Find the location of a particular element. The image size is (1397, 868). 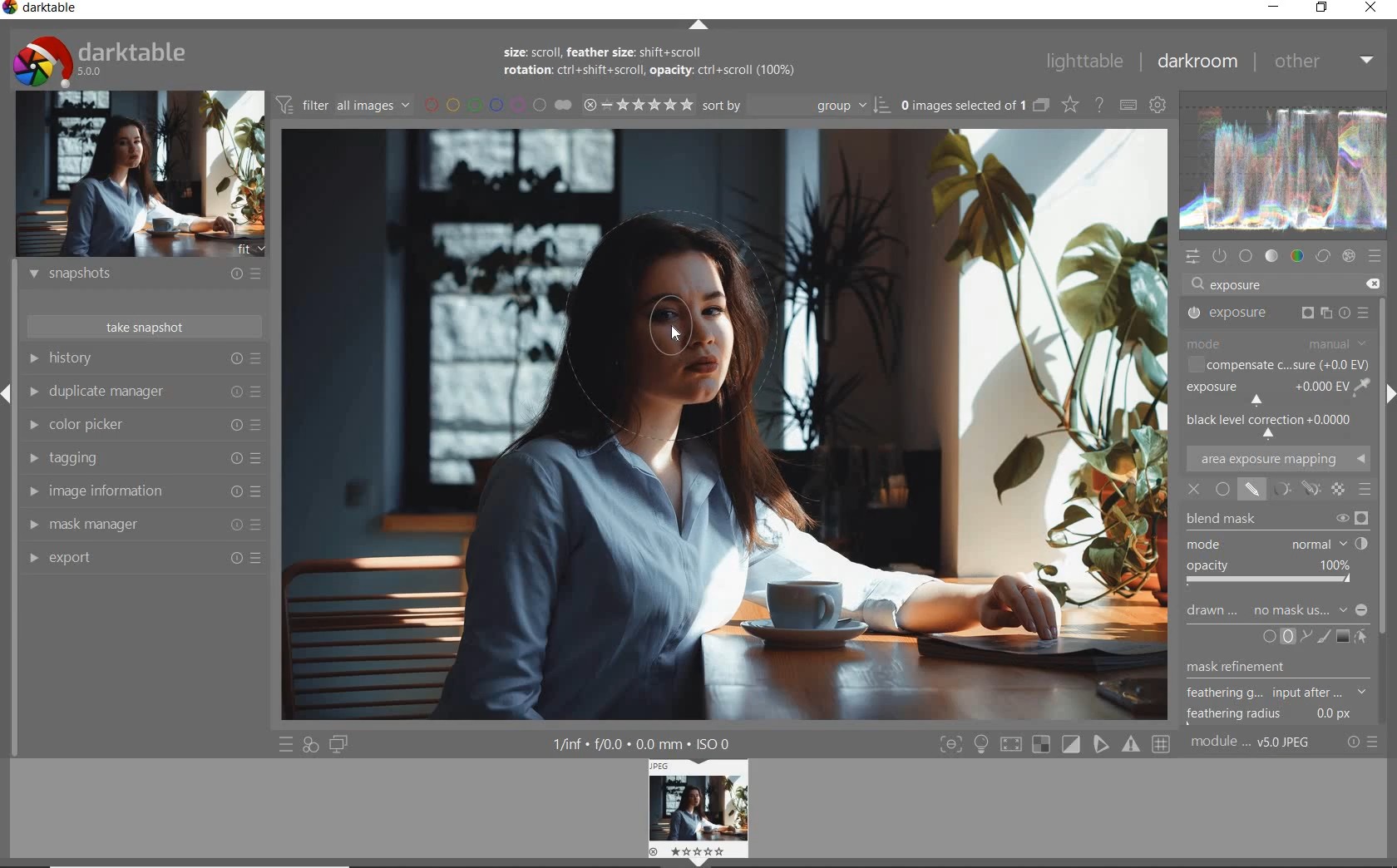

correct is located at coordinates (1321, 256).